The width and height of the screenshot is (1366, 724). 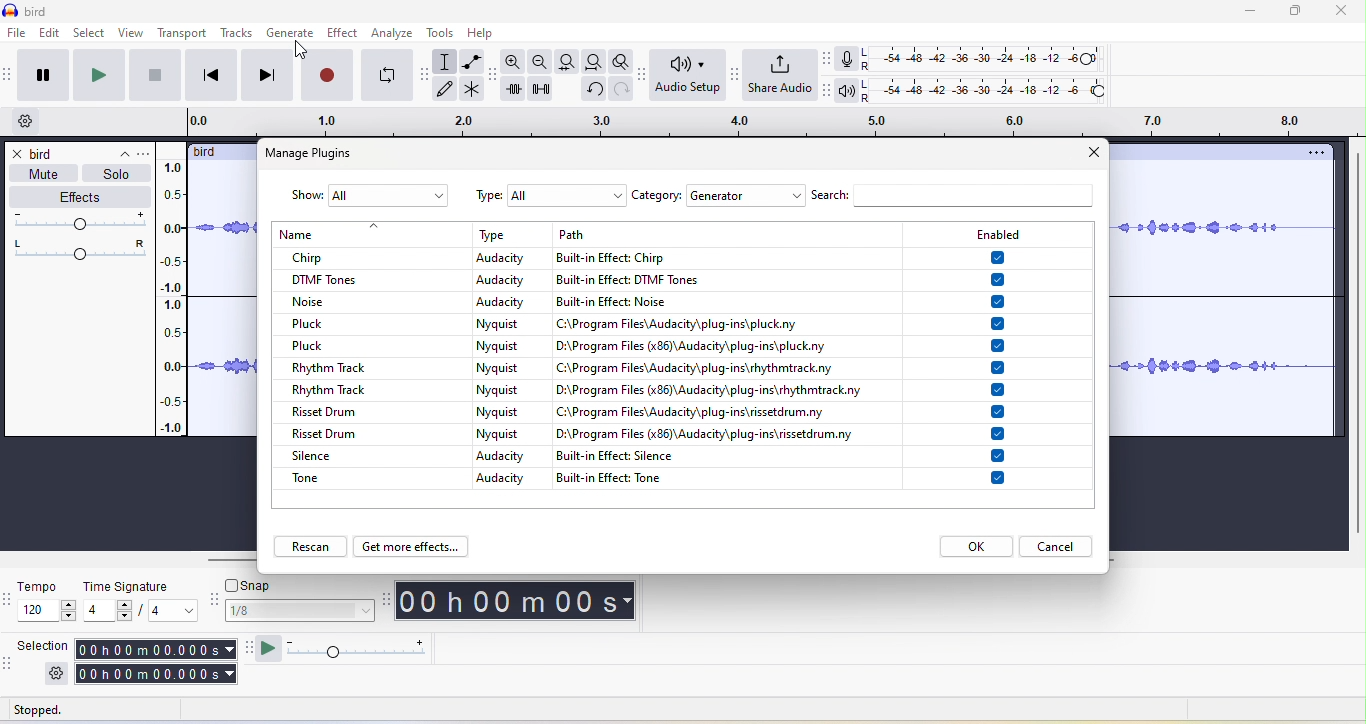 I want to click on timer, so click(x=522, y=601).